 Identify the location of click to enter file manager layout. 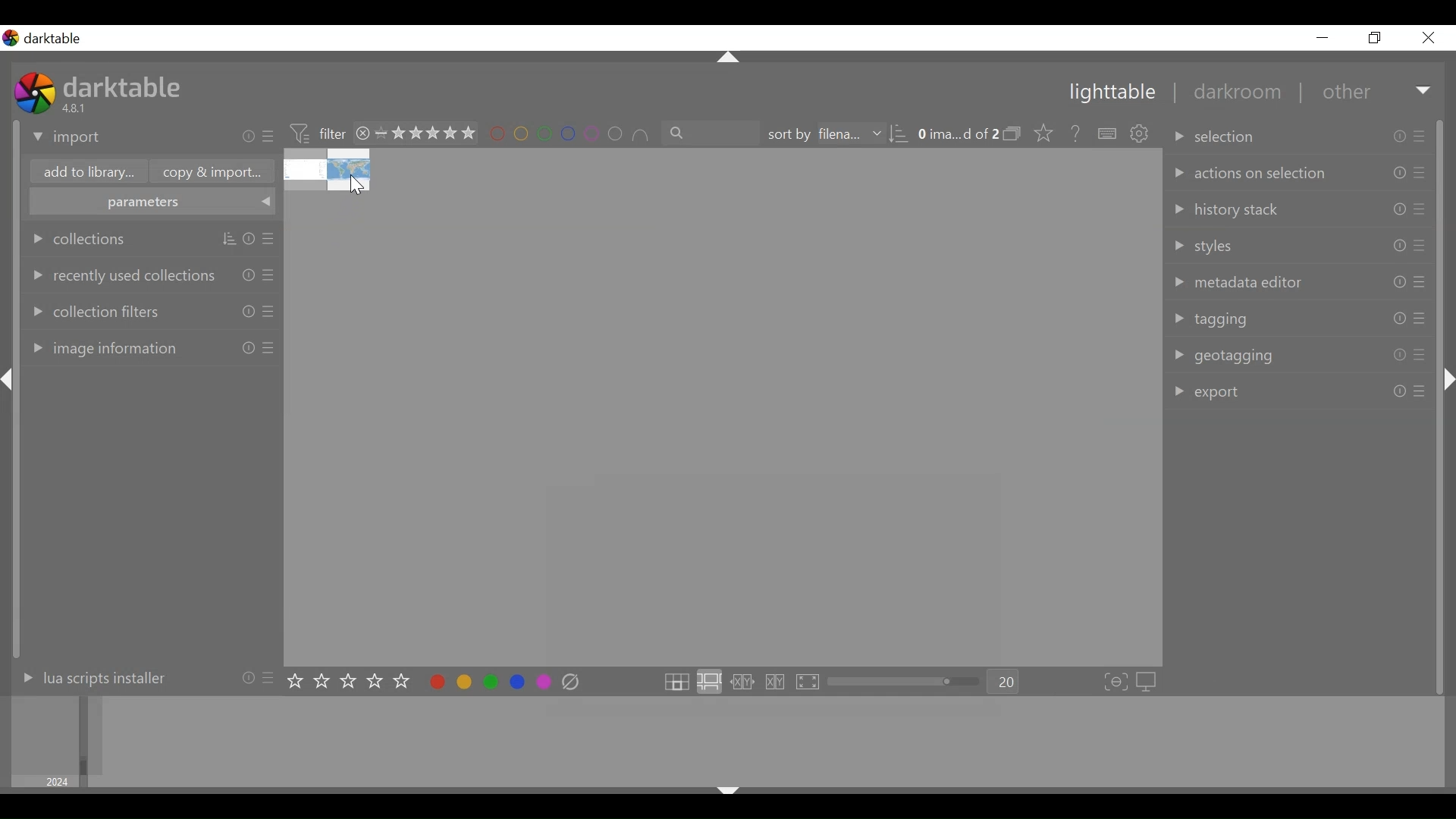
(676, 681).